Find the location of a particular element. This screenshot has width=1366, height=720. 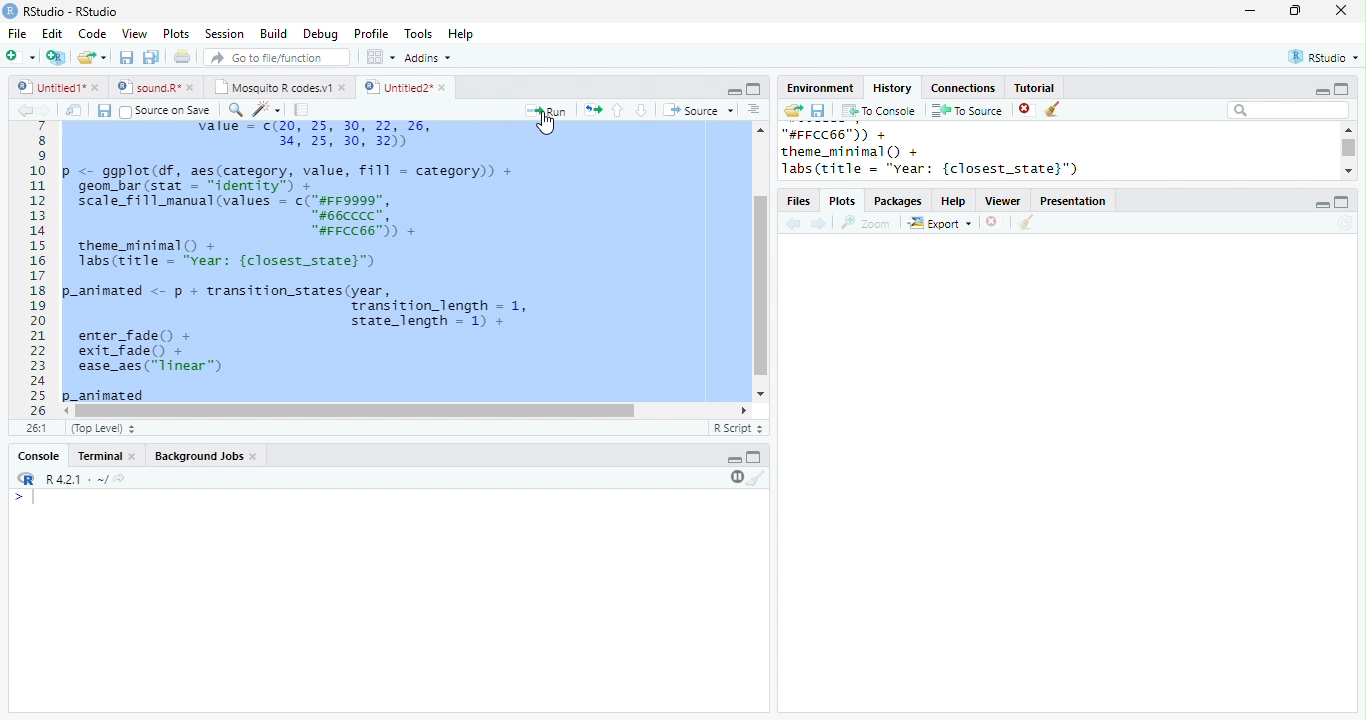

Plots is located at coordinates (177, 34).